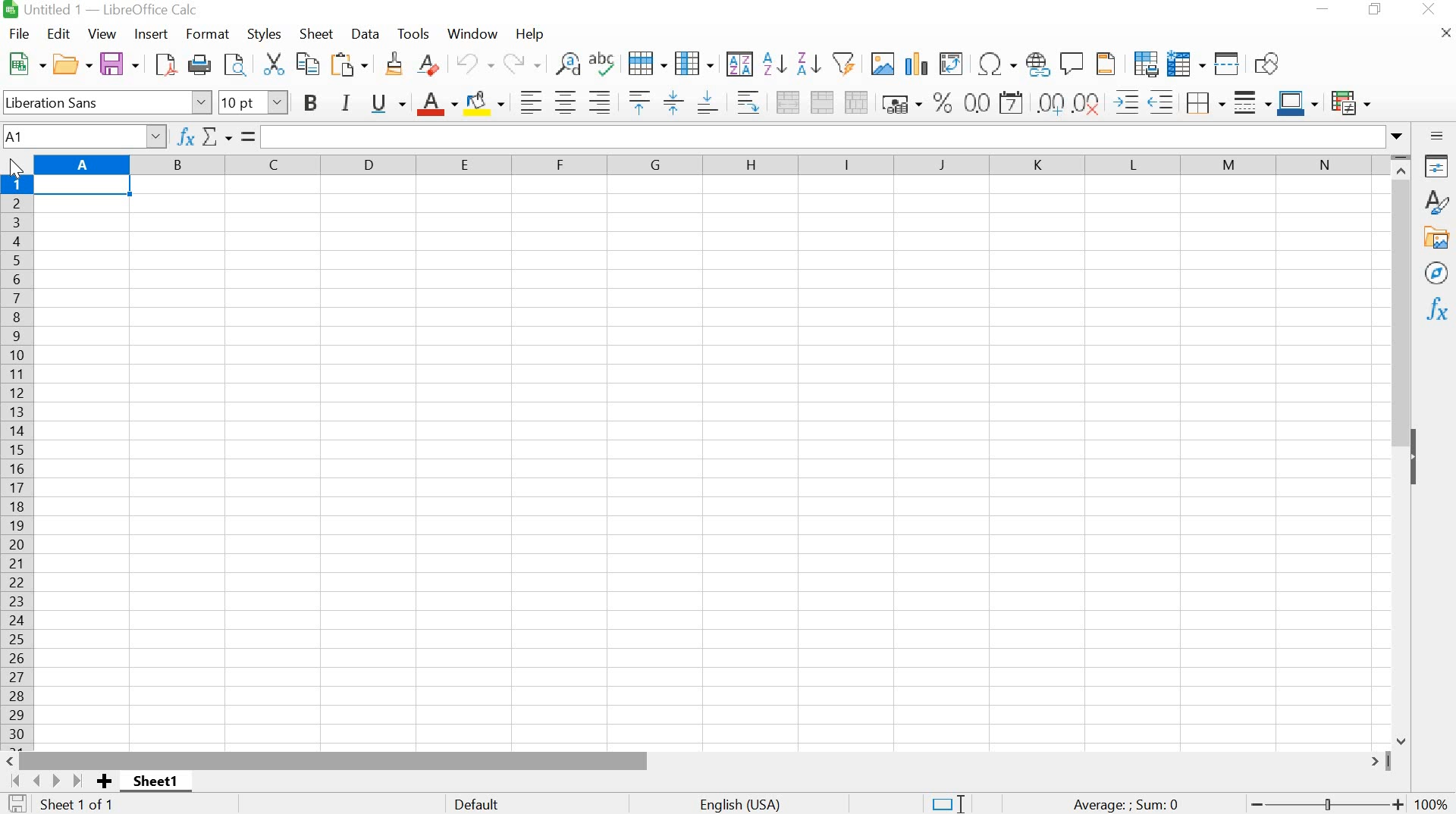  I want to click on formula, so click(246, 136).